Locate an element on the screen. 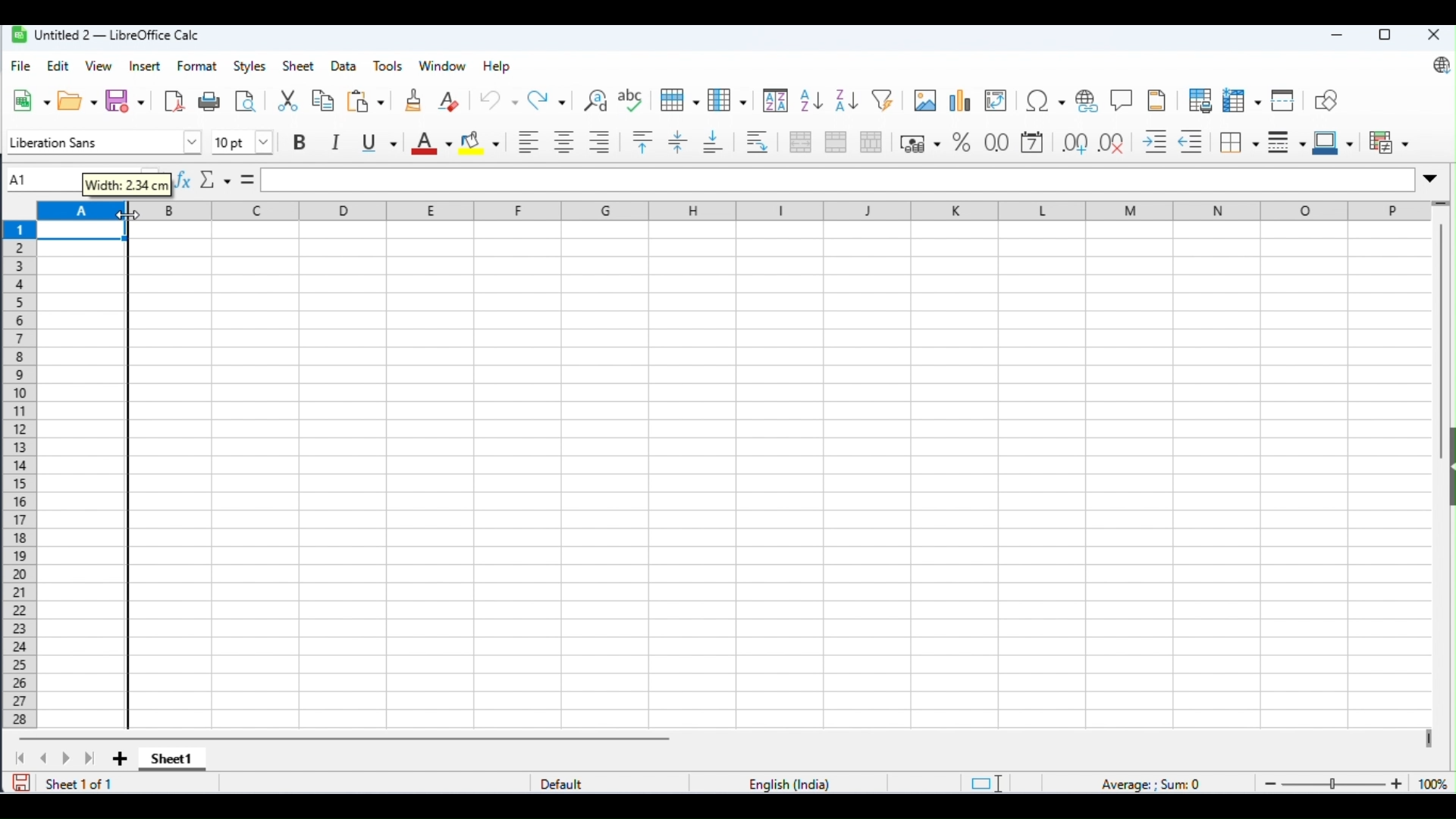  font color is located at coordinates (431, 143).